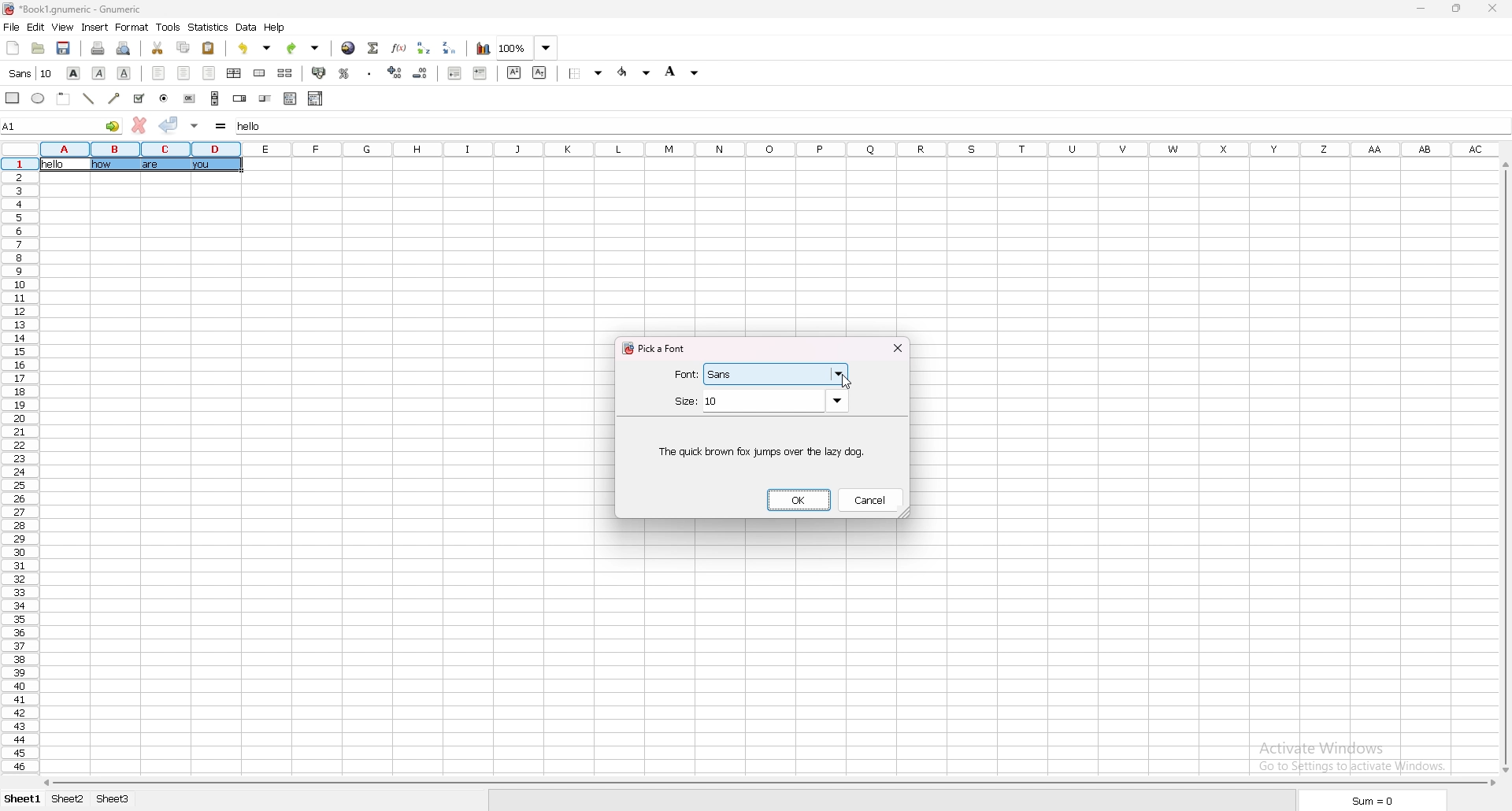 The width and height of the screenshot is (1512, 811). What do you see at coordinates (276, 28) in the screenshot?
I see `help` at bounding box center [276, 28].